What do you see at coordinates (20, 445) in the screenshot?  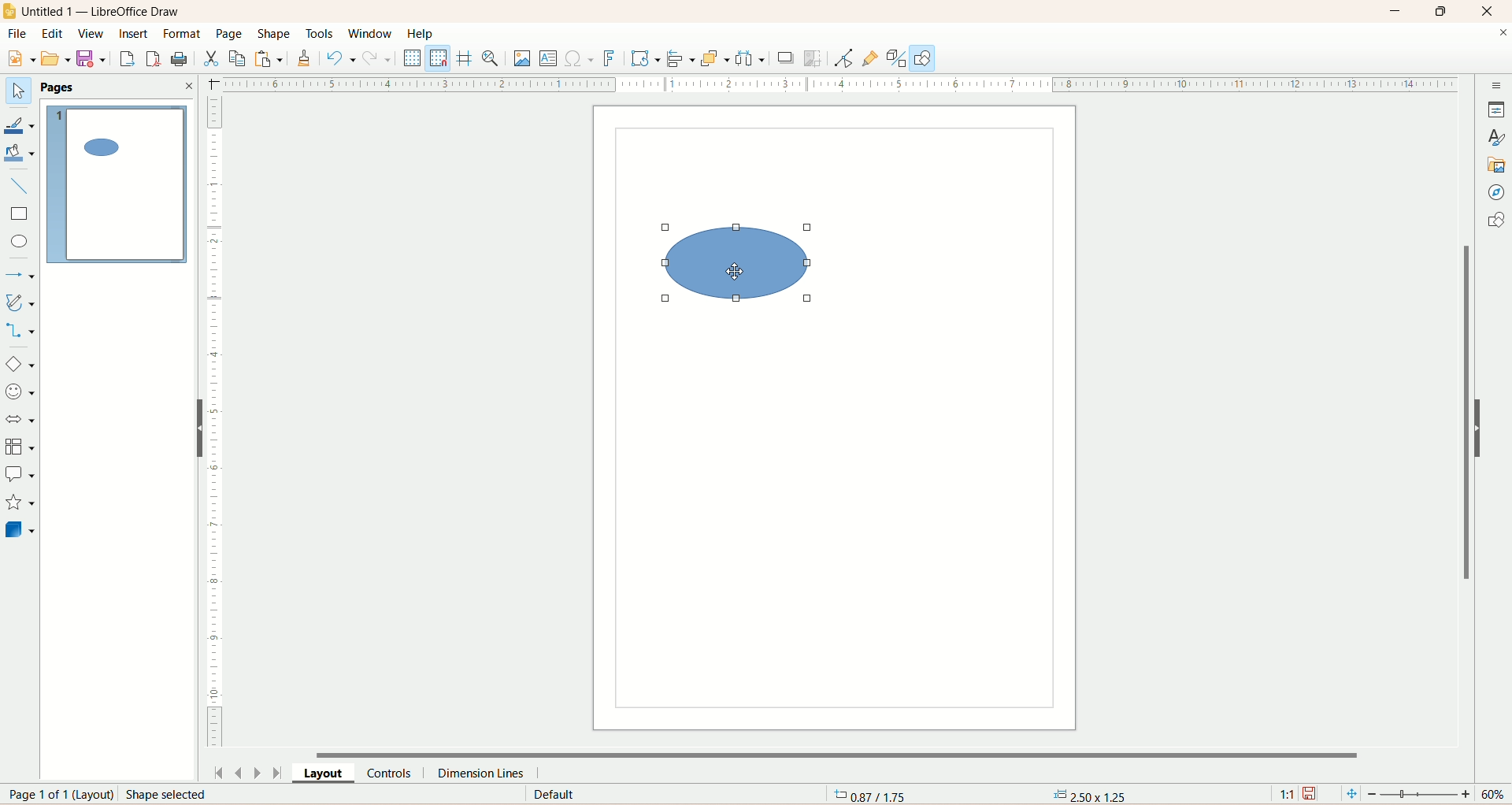 I see `flowchart` at bounding box center [20, 445].